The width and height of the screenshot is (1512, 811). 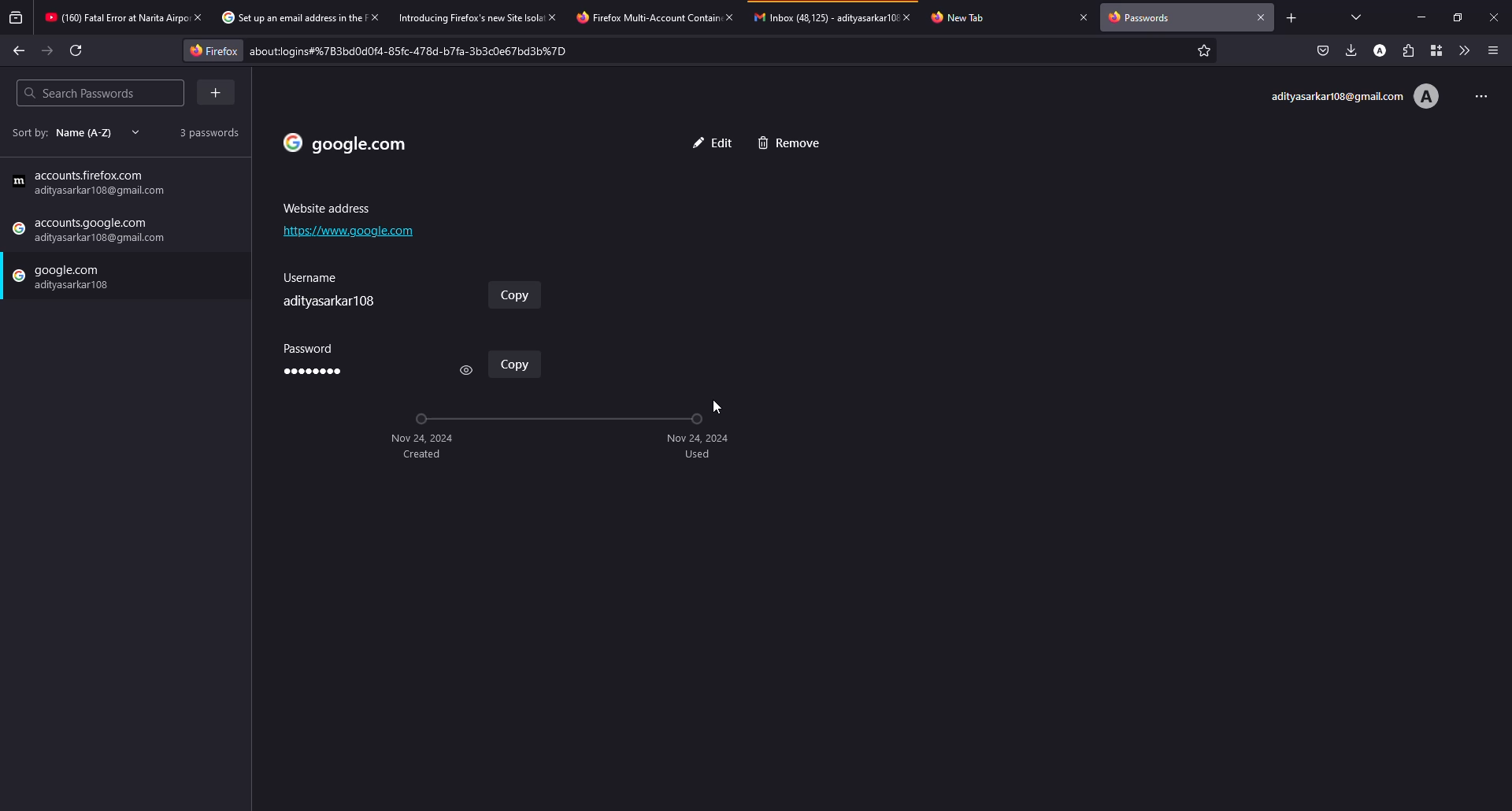 What do you see at coordinates (414, 51) in the screenshot?
I see `about` at bounding box center [414, 51].